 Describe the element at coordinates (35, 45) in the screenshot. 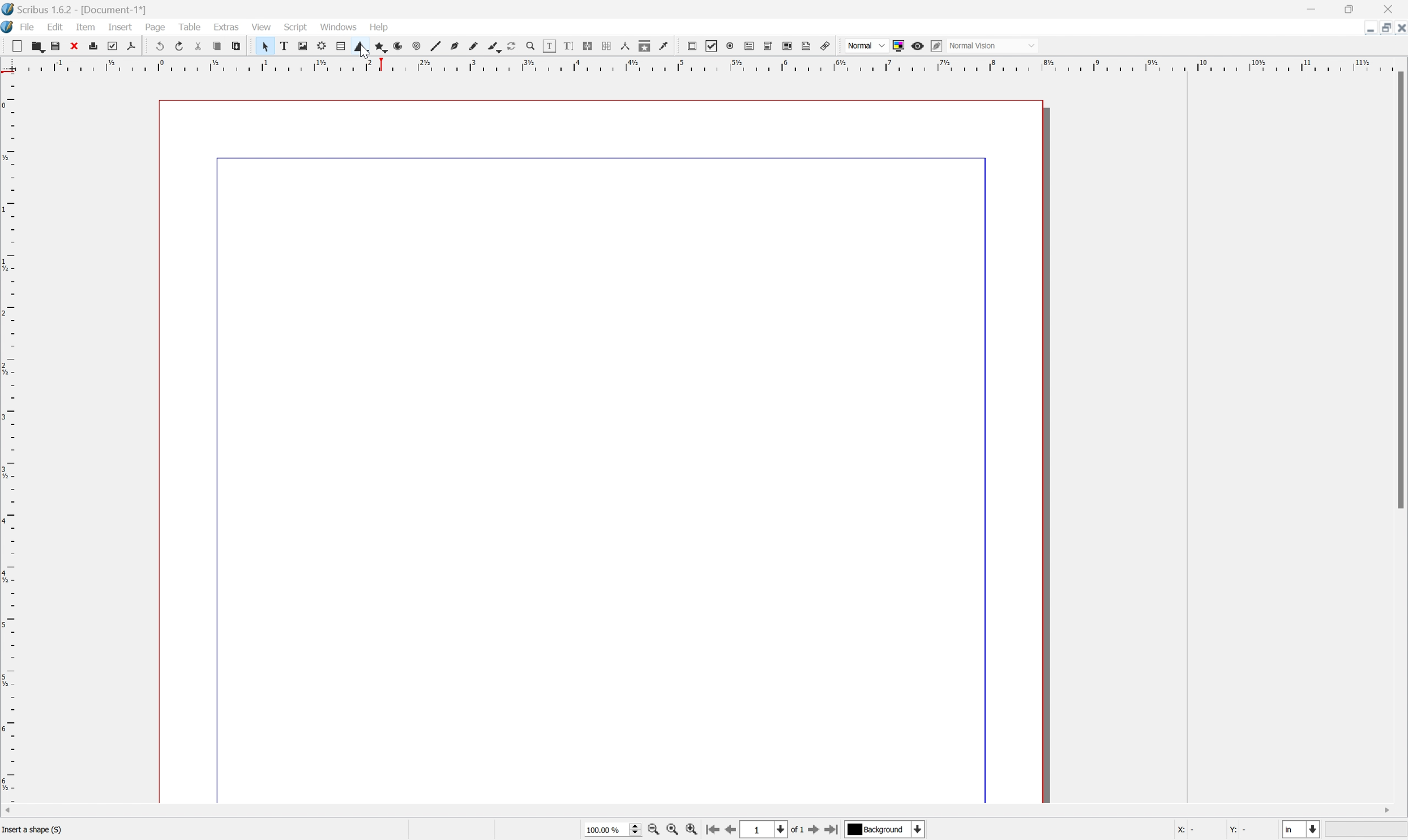

I see `Open` at that location.